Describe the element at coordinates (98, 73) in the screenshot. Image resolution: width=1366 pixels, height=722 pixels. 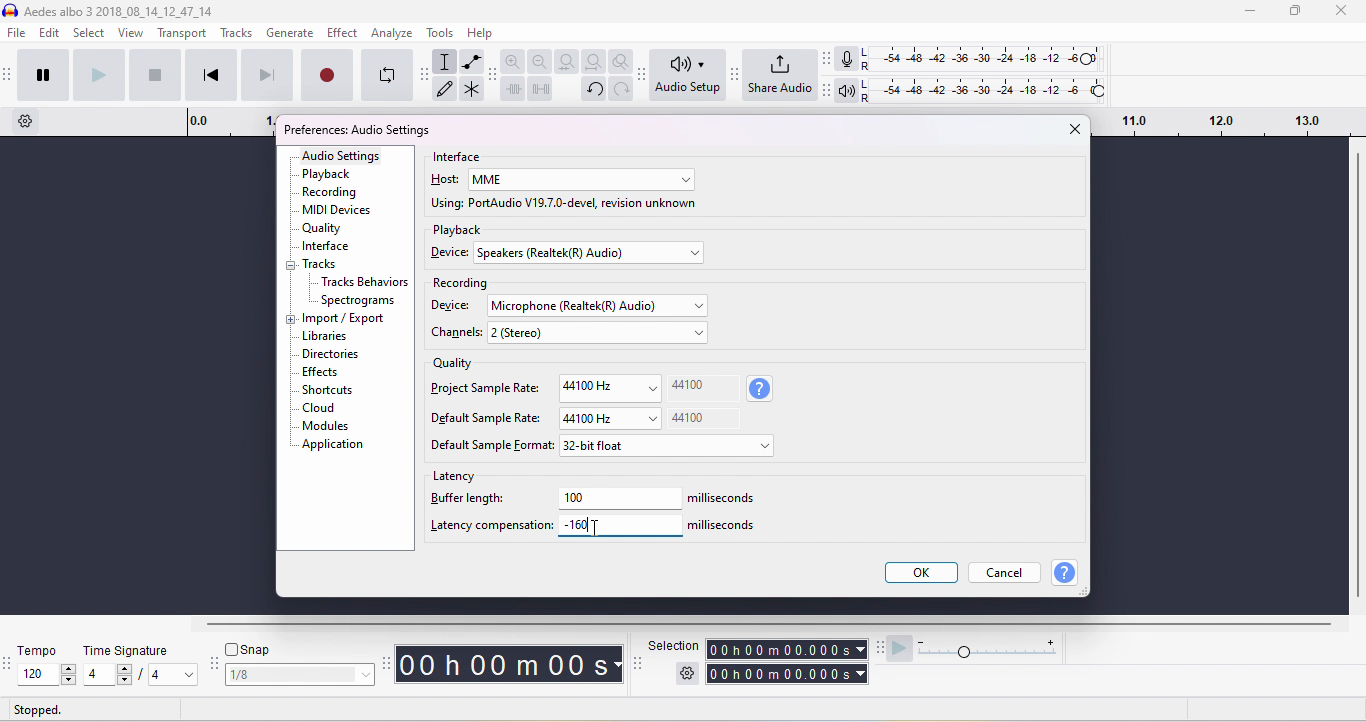
I see `play` at that location.